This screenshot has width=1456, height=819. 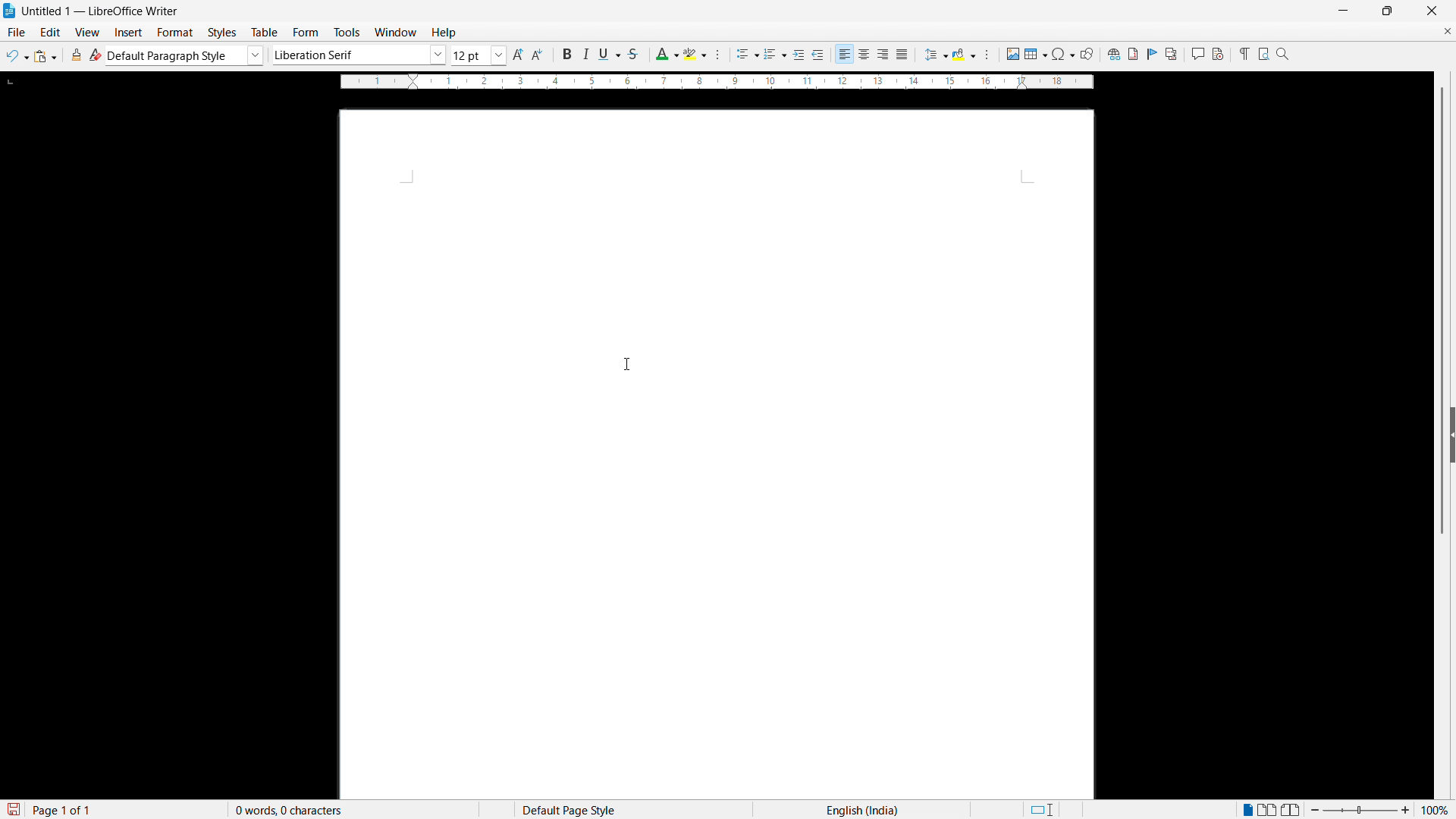 What do you see at coordinates (1112, 53) in the screenshot?
I see `Add link ` at bounding box center [1112, 53].